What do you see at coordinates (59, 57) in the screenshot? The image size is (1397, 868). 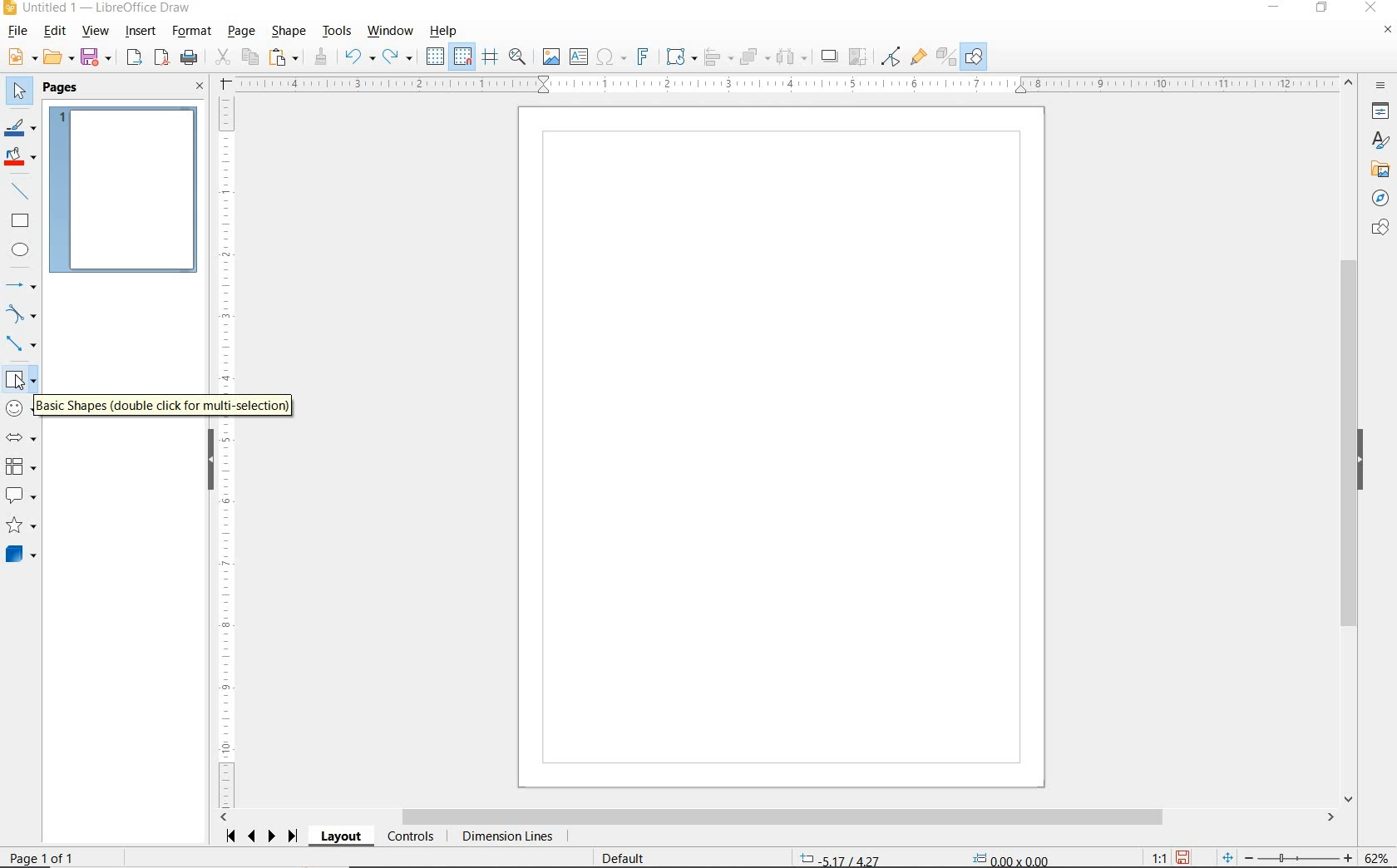 I see `OPEN` at bounding box center [59, 57].